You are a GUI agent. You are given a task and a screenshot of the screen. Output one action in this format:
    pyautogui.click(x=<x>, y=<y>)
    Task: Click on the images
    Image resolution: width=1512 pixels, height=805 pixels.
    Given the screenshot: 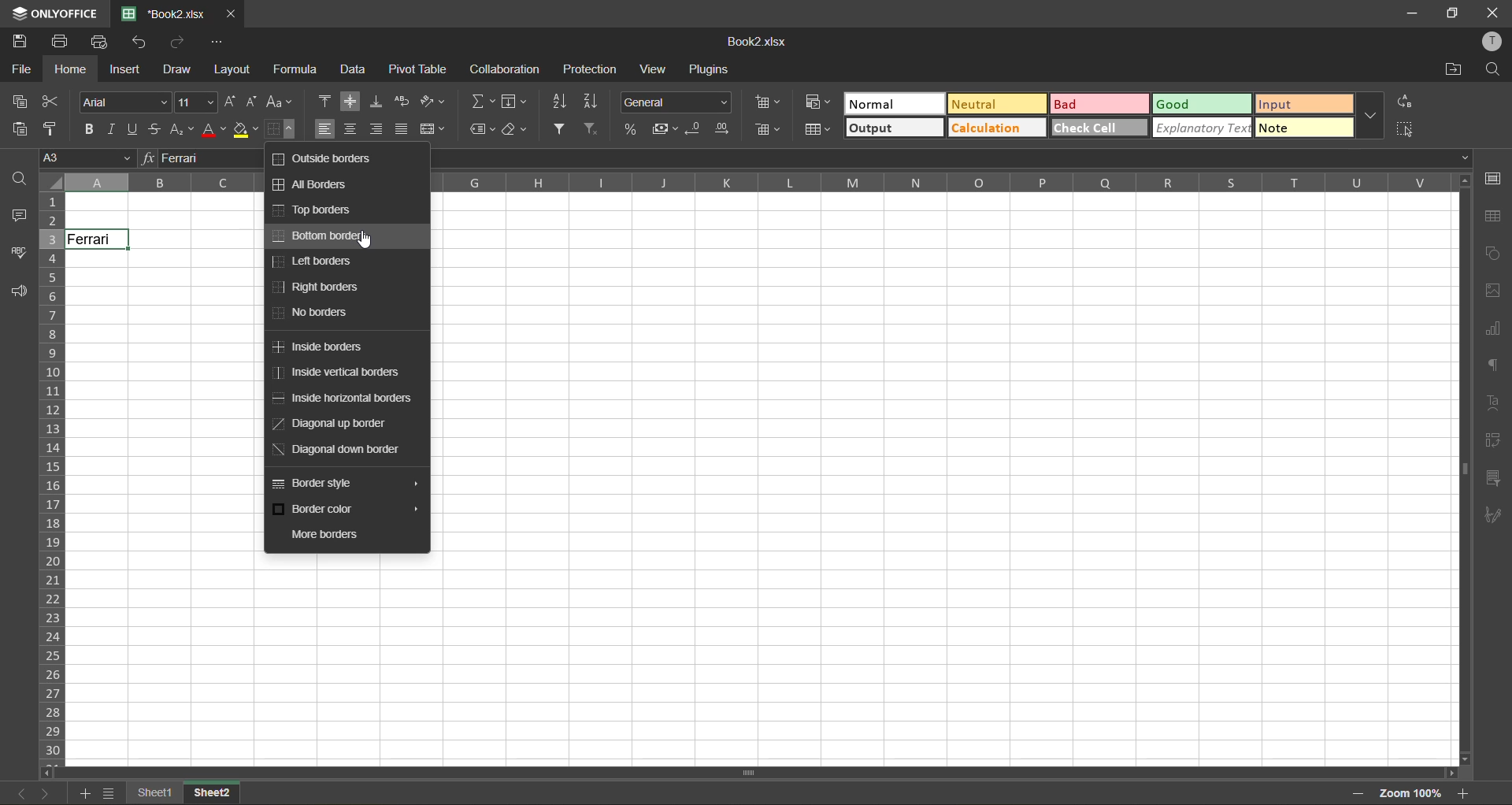 What is the action you would take?
    pyautogui.click(x=1486, y=291)
    